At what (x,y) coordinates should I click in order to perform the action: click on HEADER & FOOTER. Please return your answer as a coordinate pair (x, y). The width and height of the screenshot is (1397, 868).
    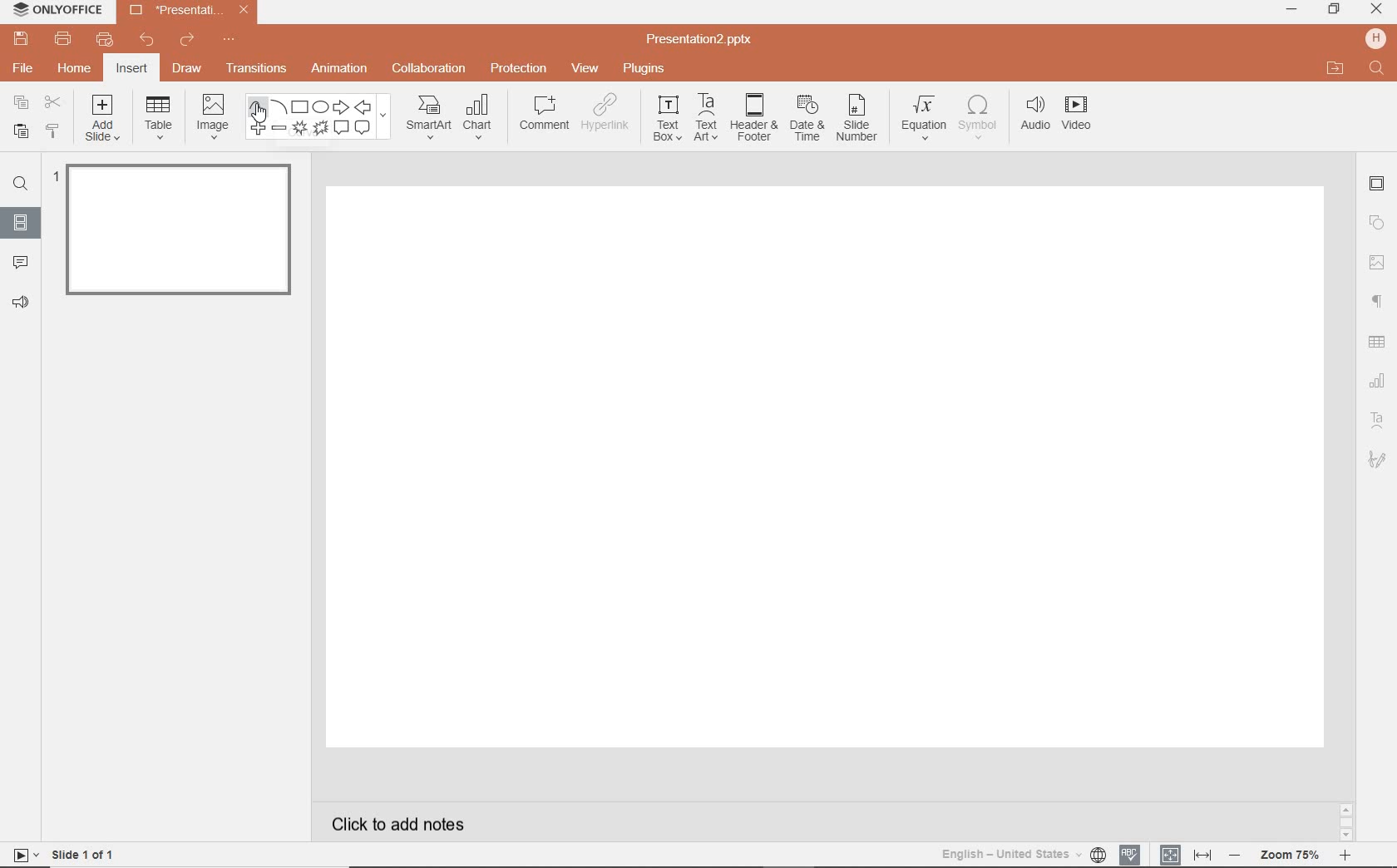
    Looking at the image, I should click on (753, 118).